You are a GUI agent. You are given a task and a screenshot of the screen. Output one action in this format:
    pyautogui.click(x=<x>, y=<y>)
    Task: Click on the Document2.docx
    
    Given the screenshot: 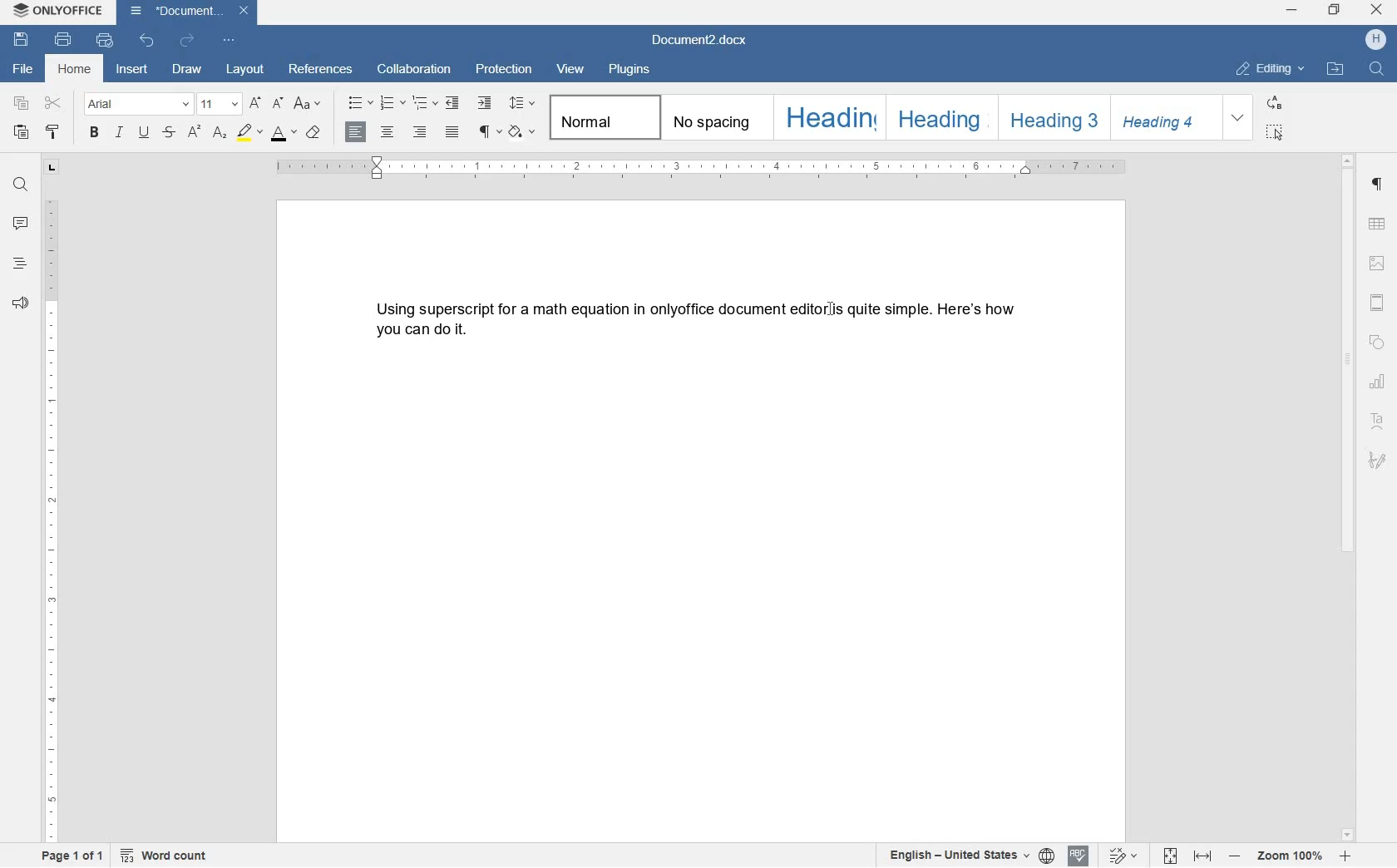 What is the action you would take?
    pyautogui.click(x=700, y=40)
    